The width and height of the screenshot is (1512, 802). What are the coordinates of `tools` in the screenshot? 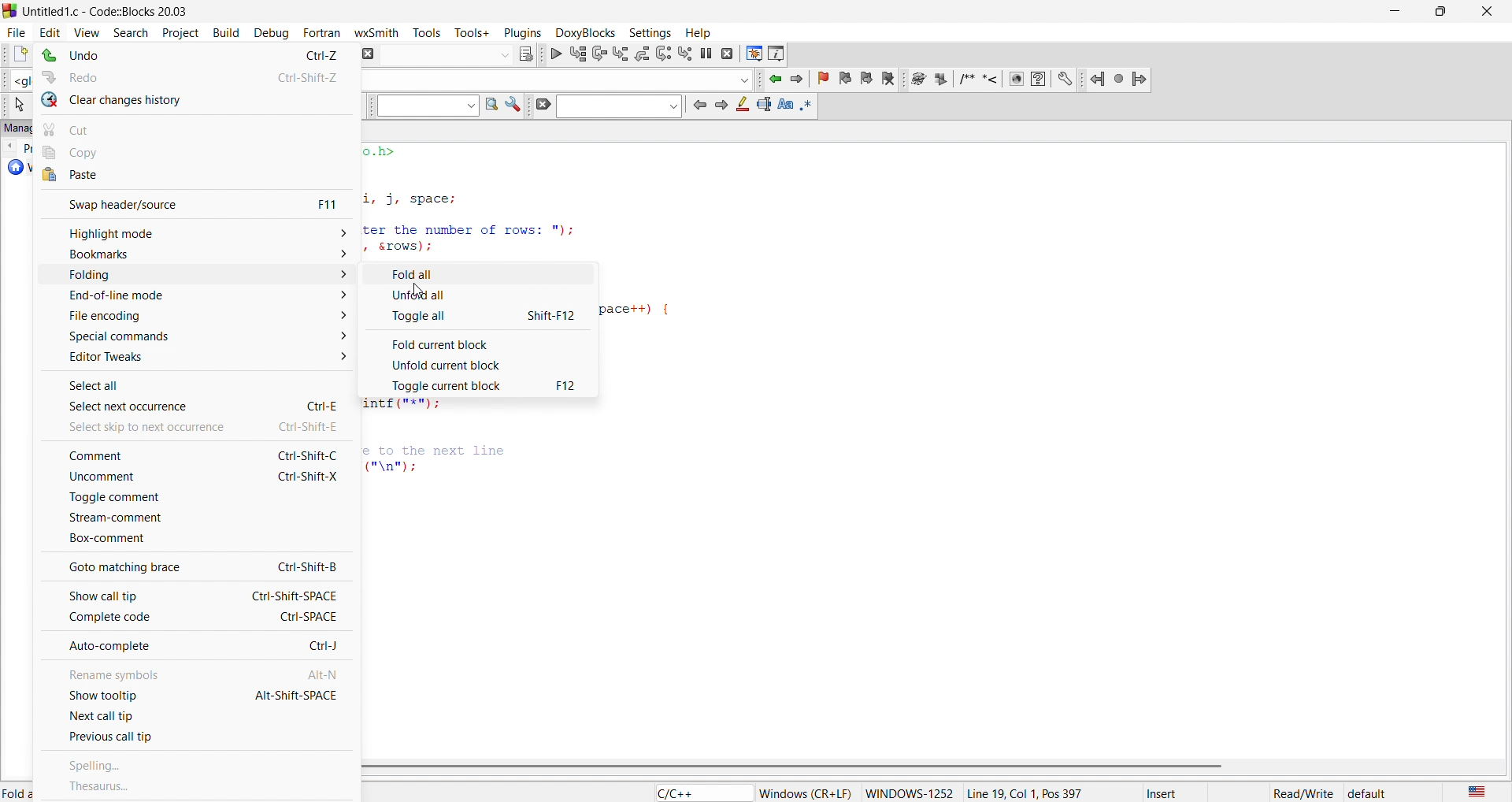 It's located at (430, 32).